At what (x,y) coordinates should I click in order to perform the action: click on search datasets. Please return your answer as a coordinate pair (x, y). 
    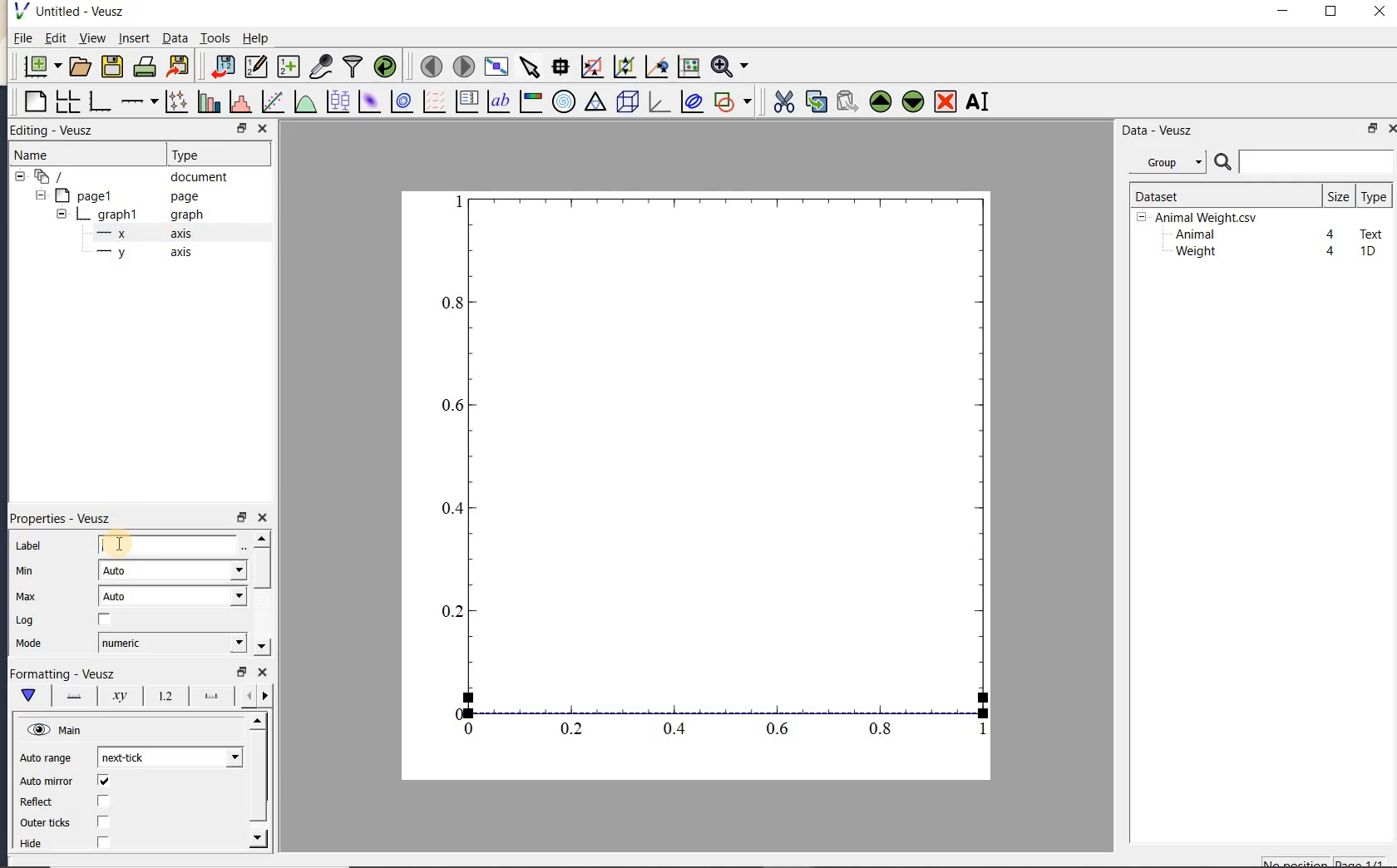
    Looking at the image, I should click on (1304, 162).